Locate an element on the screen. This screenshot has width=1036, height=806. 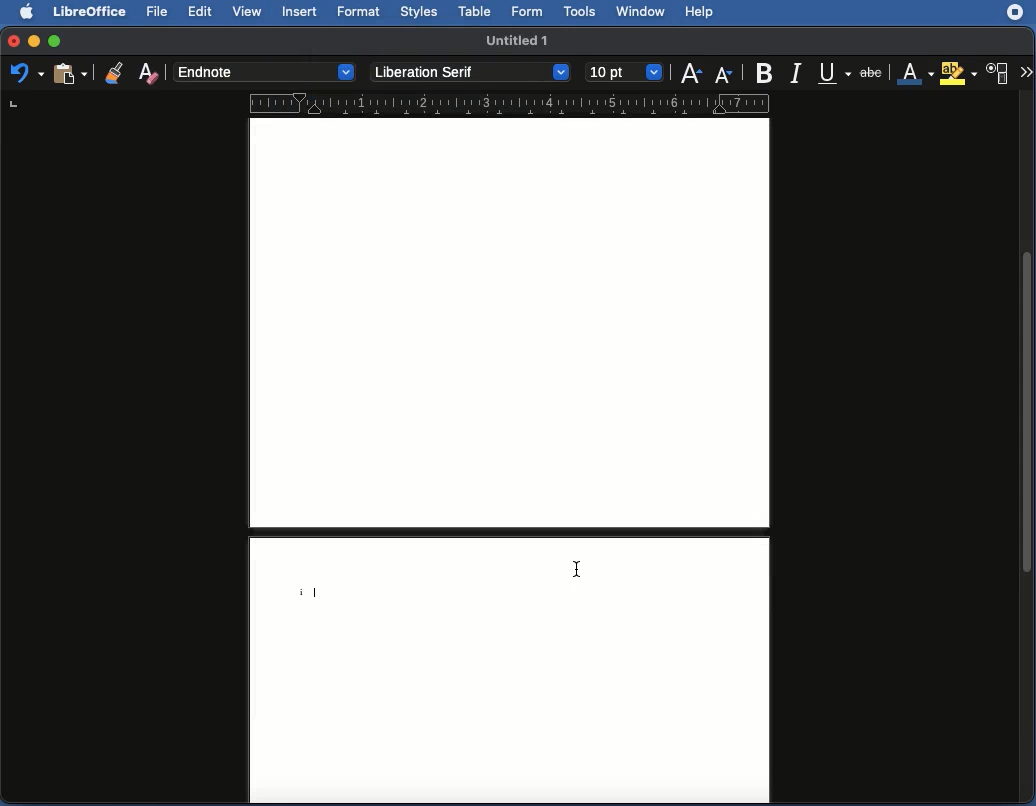
Table is located at coordinates (476, 12).